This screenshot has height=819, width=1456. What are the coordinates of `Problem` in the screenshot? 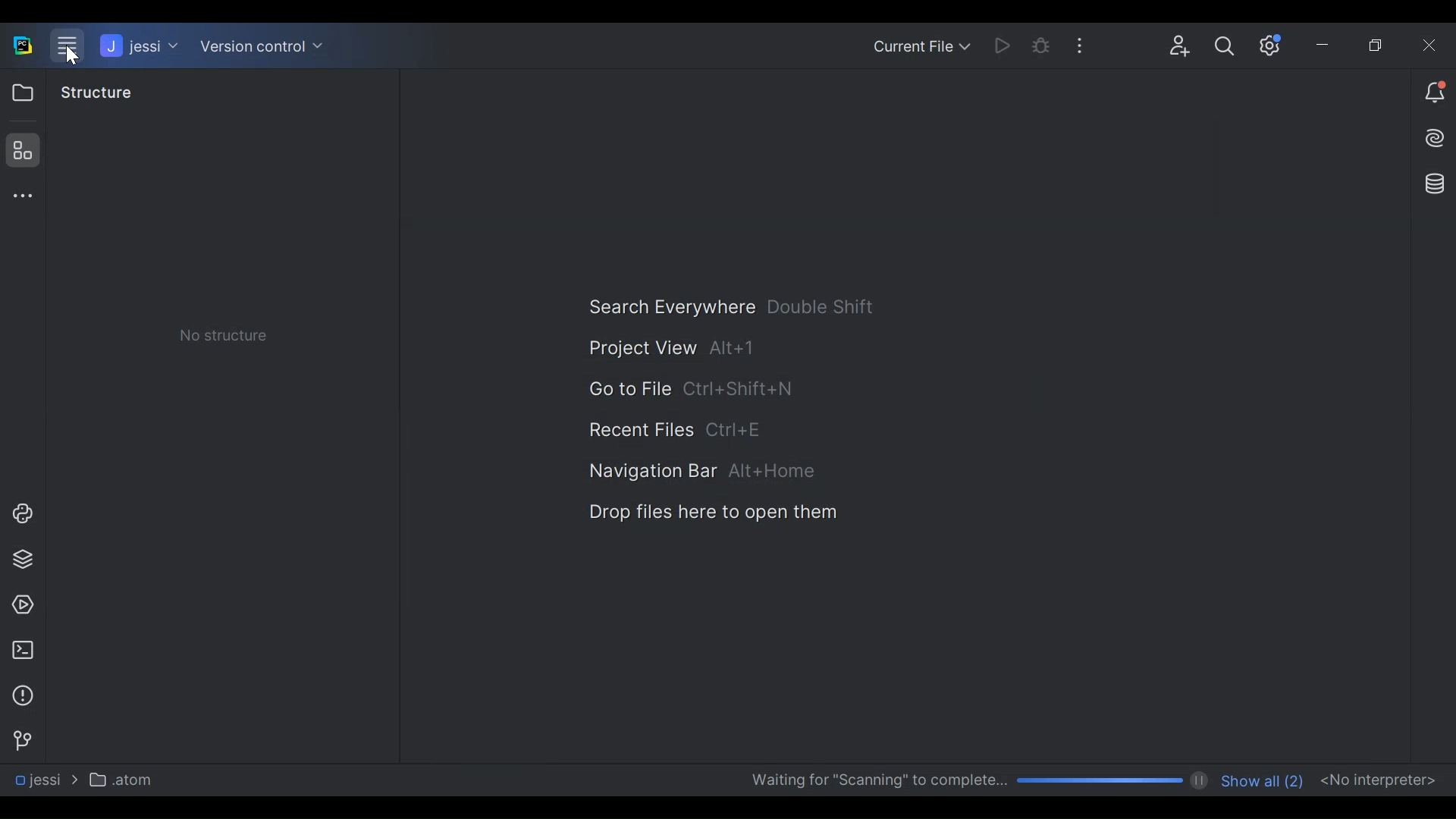 It's located at (22, 695).